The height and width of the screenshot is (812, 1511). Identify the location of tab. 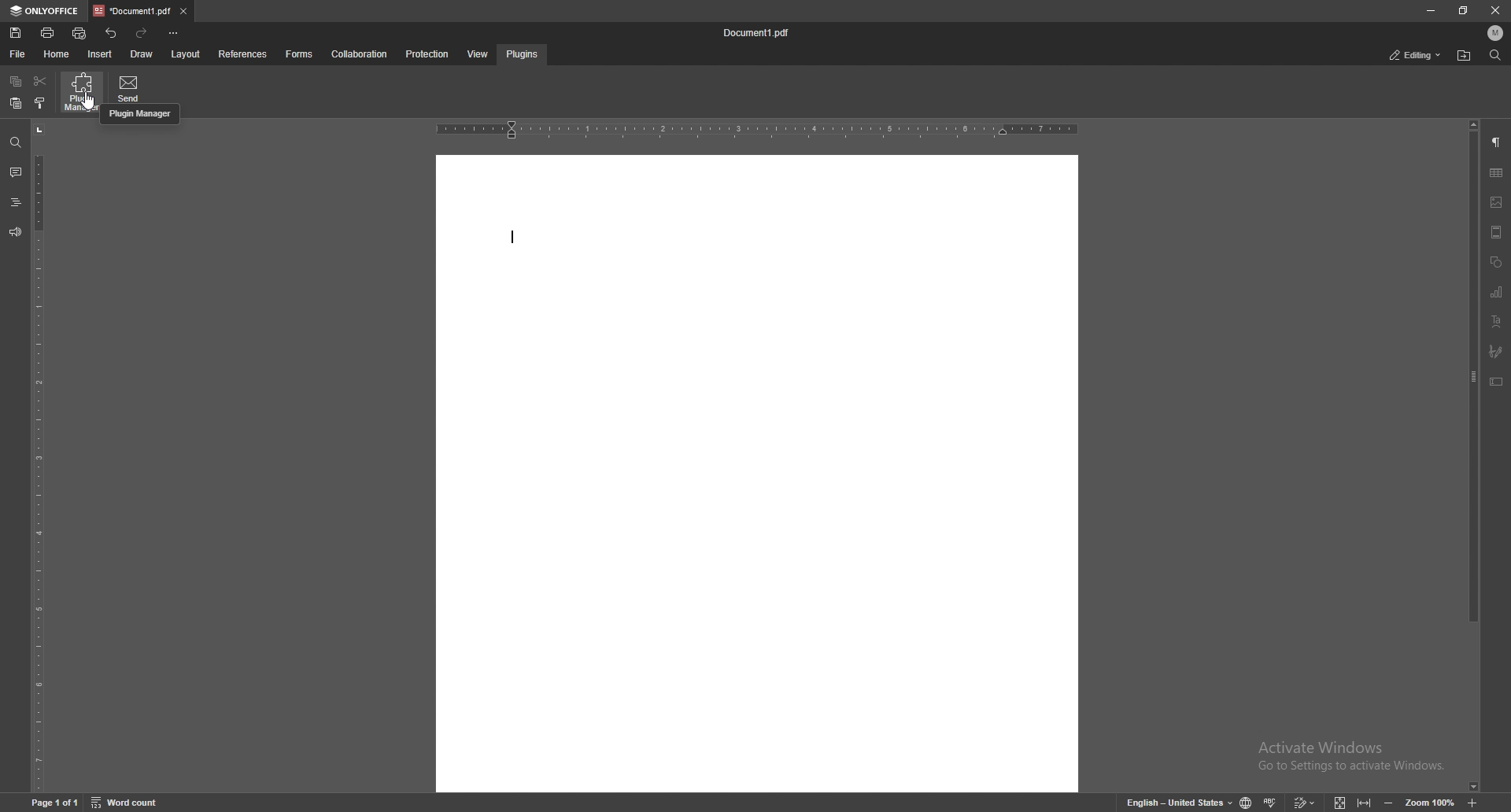
(131, 13).